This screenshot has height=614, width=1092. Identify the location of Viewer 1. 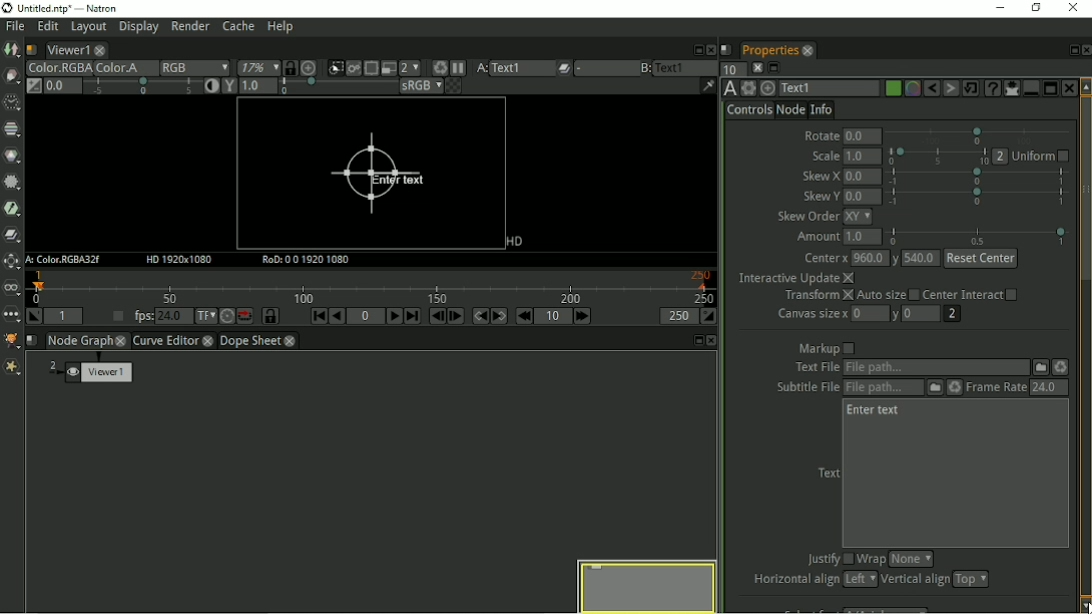
(93, 374).